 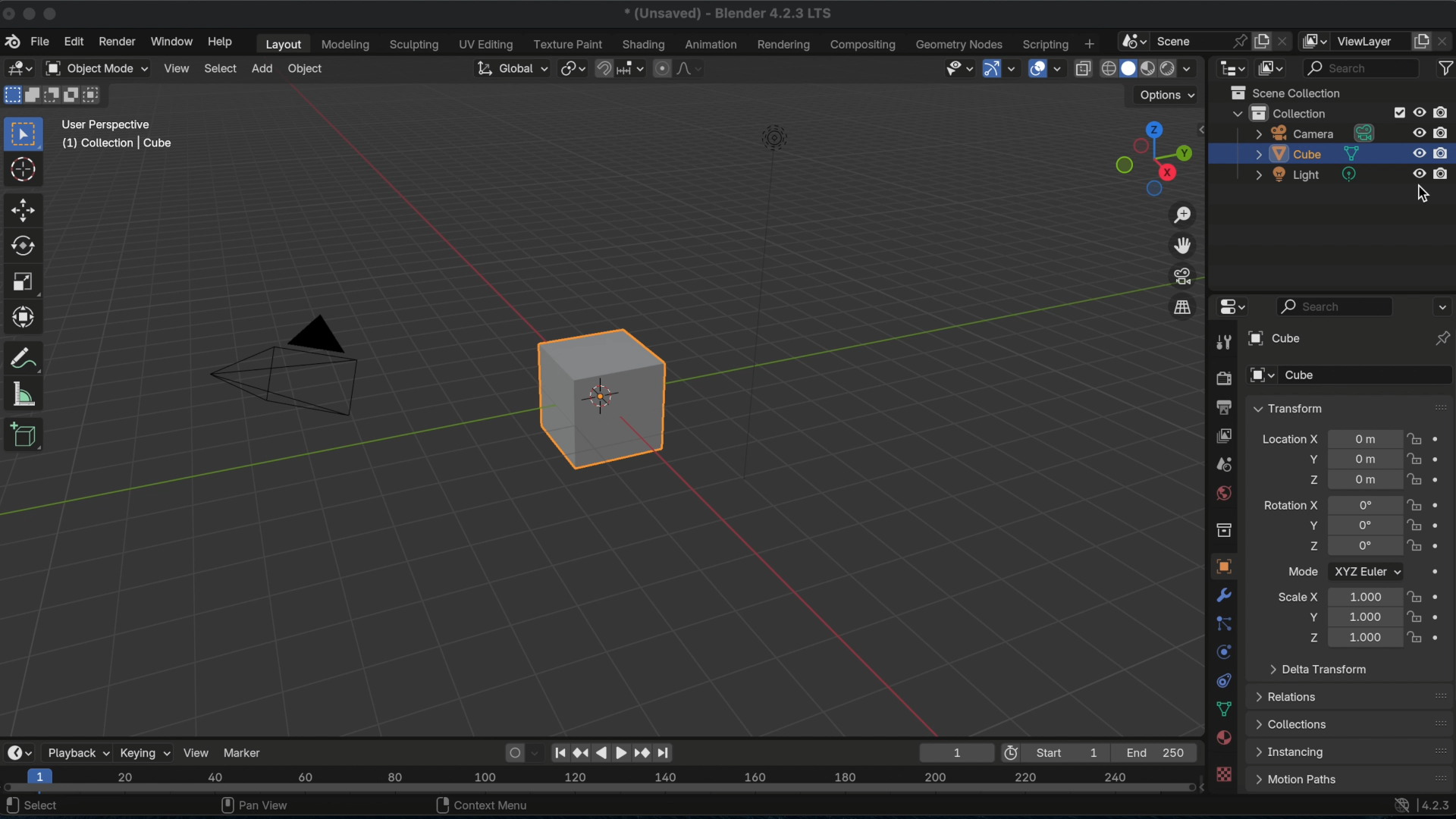 I want to click on mode, so click(x=1300, y=570).